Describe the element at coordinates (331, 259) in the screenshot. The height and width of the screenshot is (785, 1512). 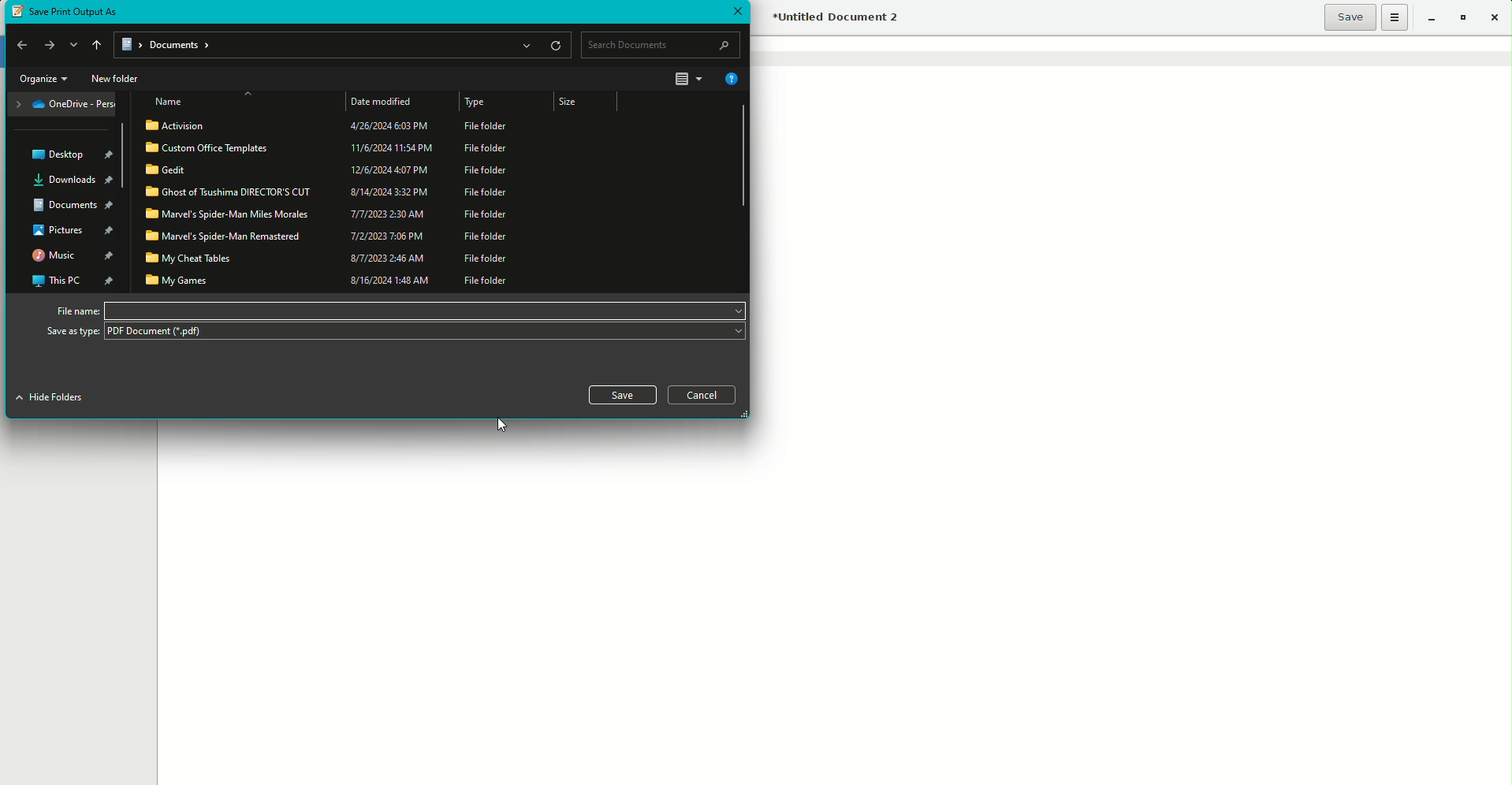
I see `Cheat tables` at that location.